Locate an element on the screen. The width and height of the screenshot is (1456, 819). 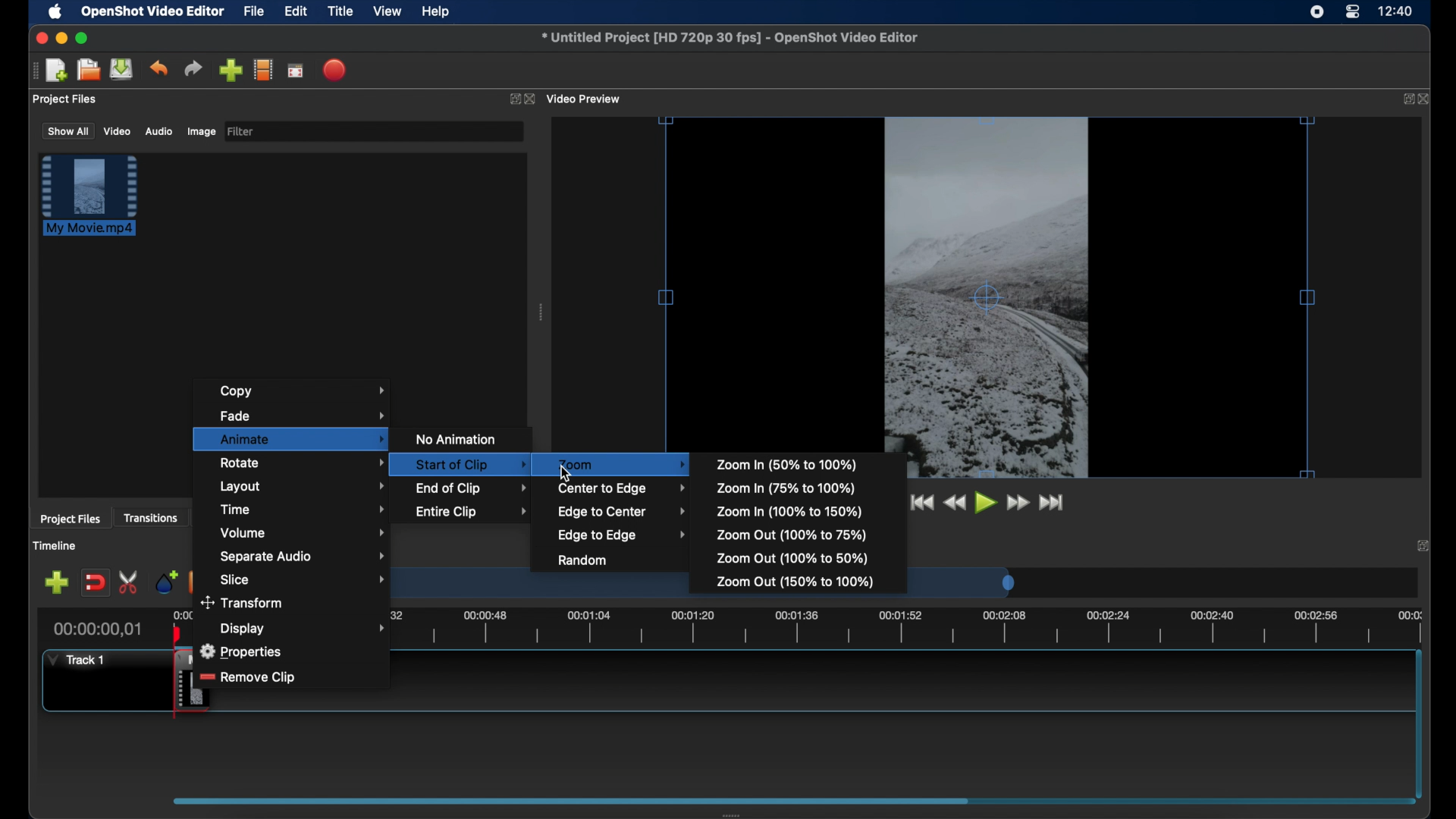
rotate menu is located at coordinates (294, 463).